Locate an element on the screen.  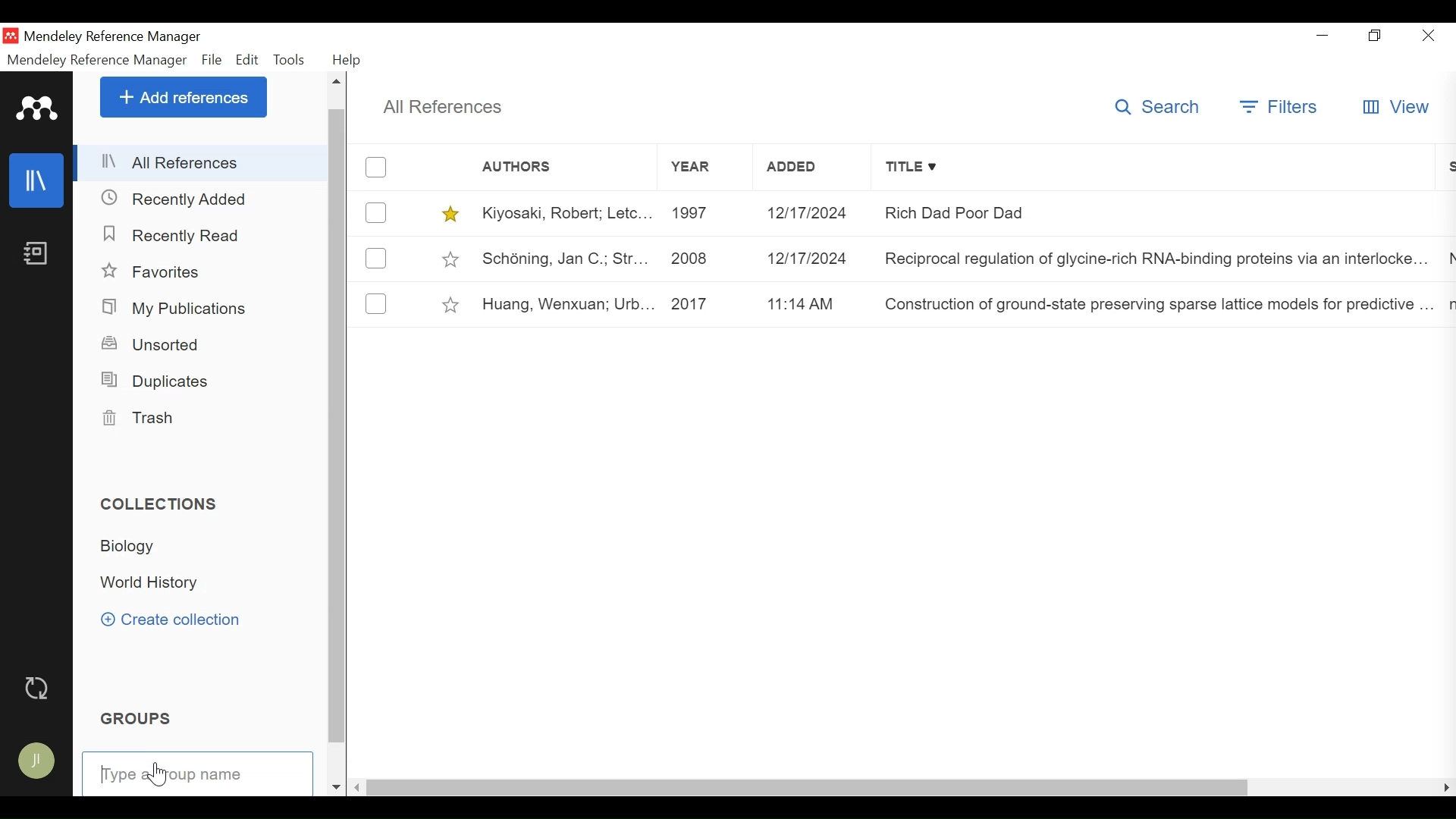
Groups is located at coordinates (140, 717).